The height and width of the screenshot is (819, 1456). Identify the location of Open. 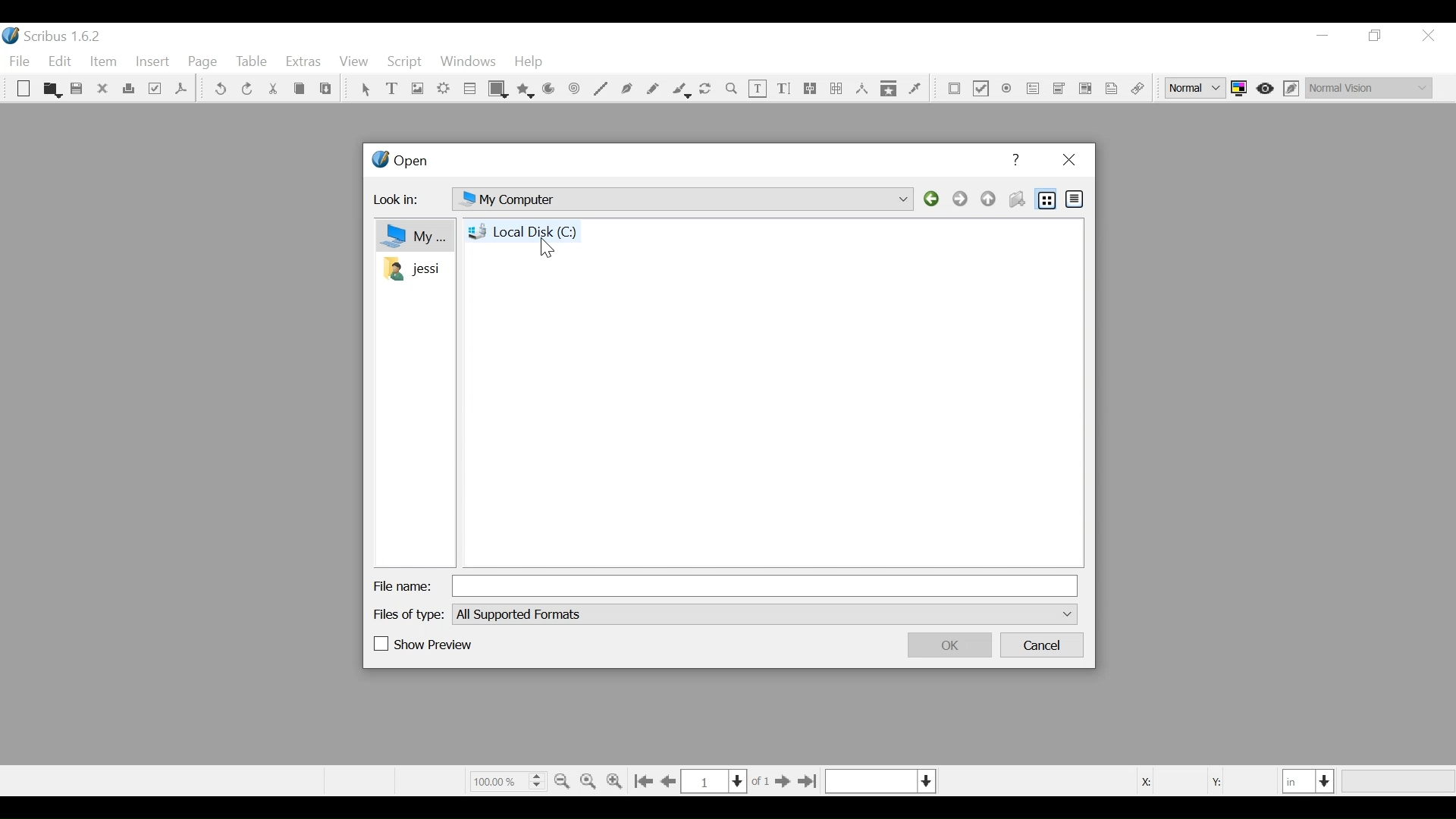
(51, 89).